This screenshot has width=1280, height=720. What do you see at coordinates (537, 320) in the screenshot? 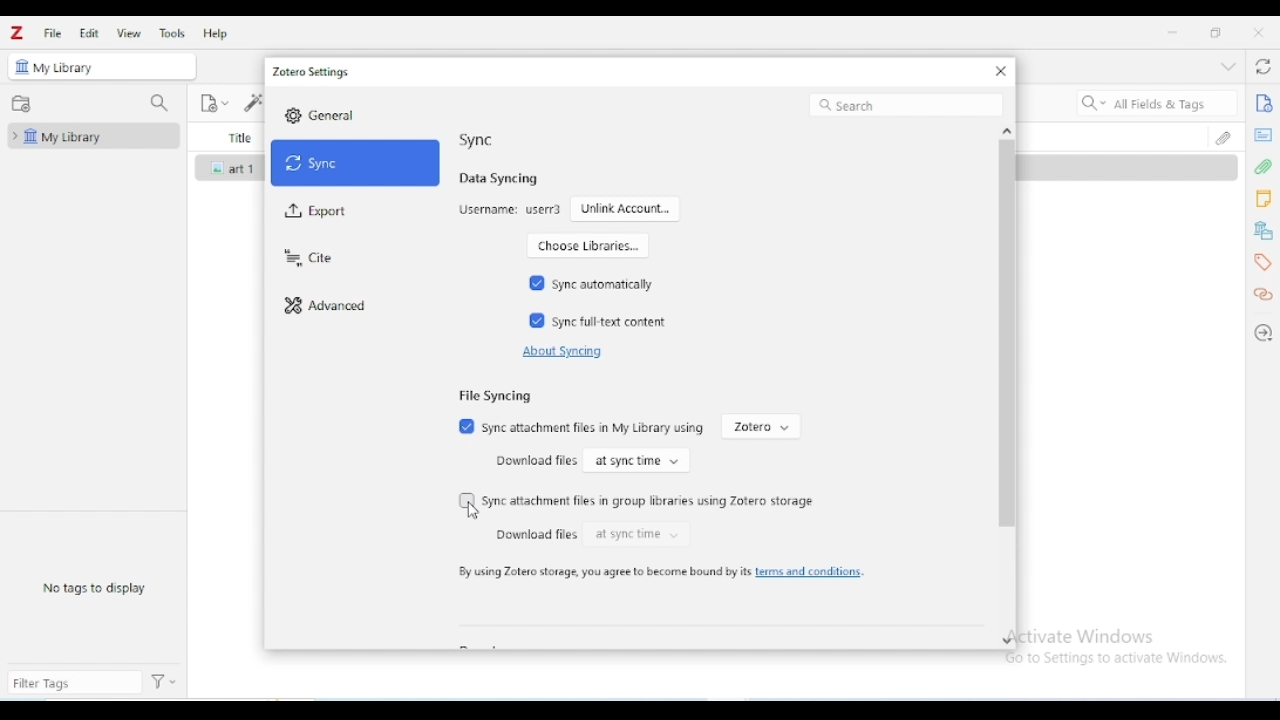
I see `Checked box` at bounding box center [537, 320].